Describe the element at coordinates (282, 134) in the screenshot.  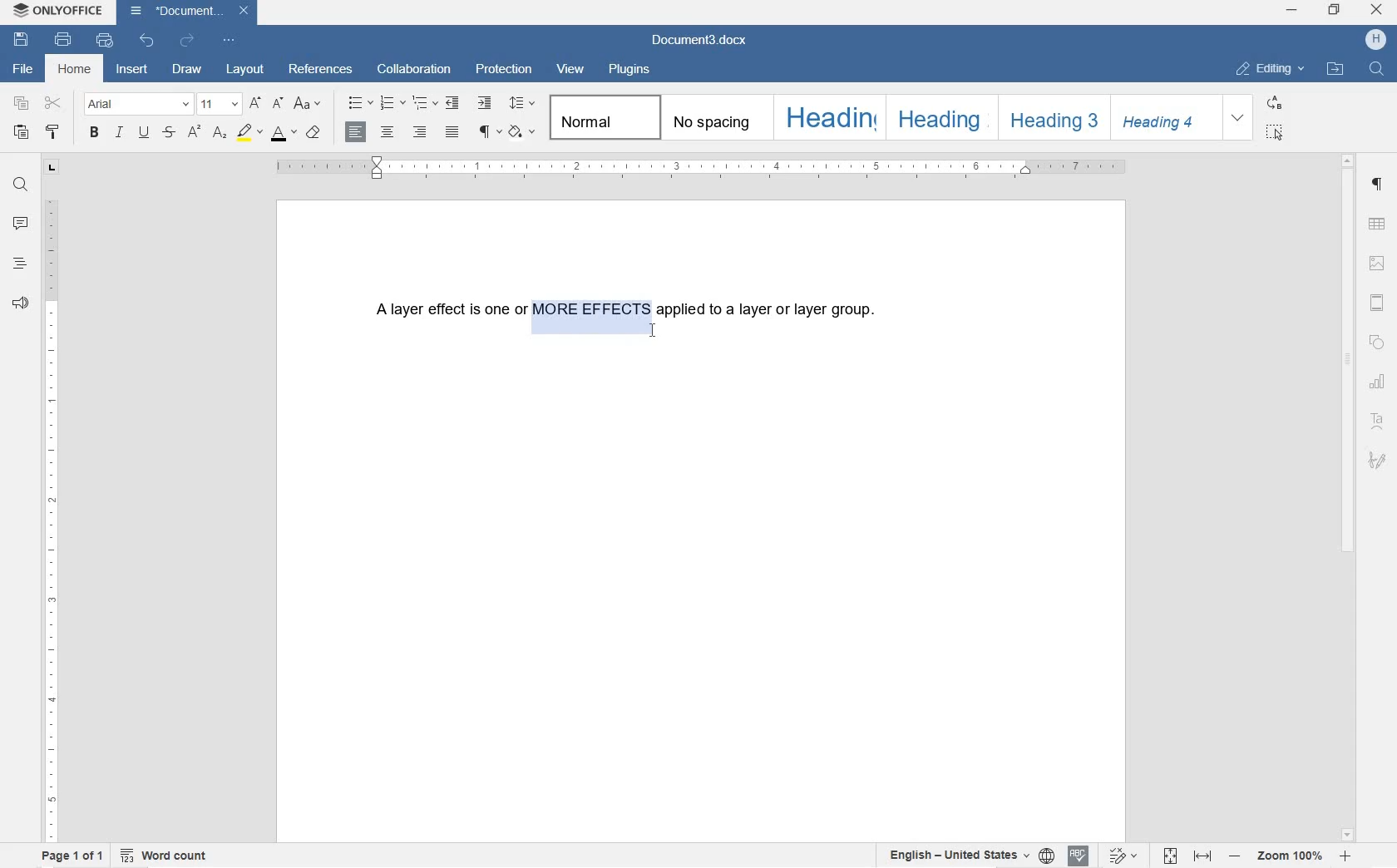
I see `FONT COLOR` at that location.